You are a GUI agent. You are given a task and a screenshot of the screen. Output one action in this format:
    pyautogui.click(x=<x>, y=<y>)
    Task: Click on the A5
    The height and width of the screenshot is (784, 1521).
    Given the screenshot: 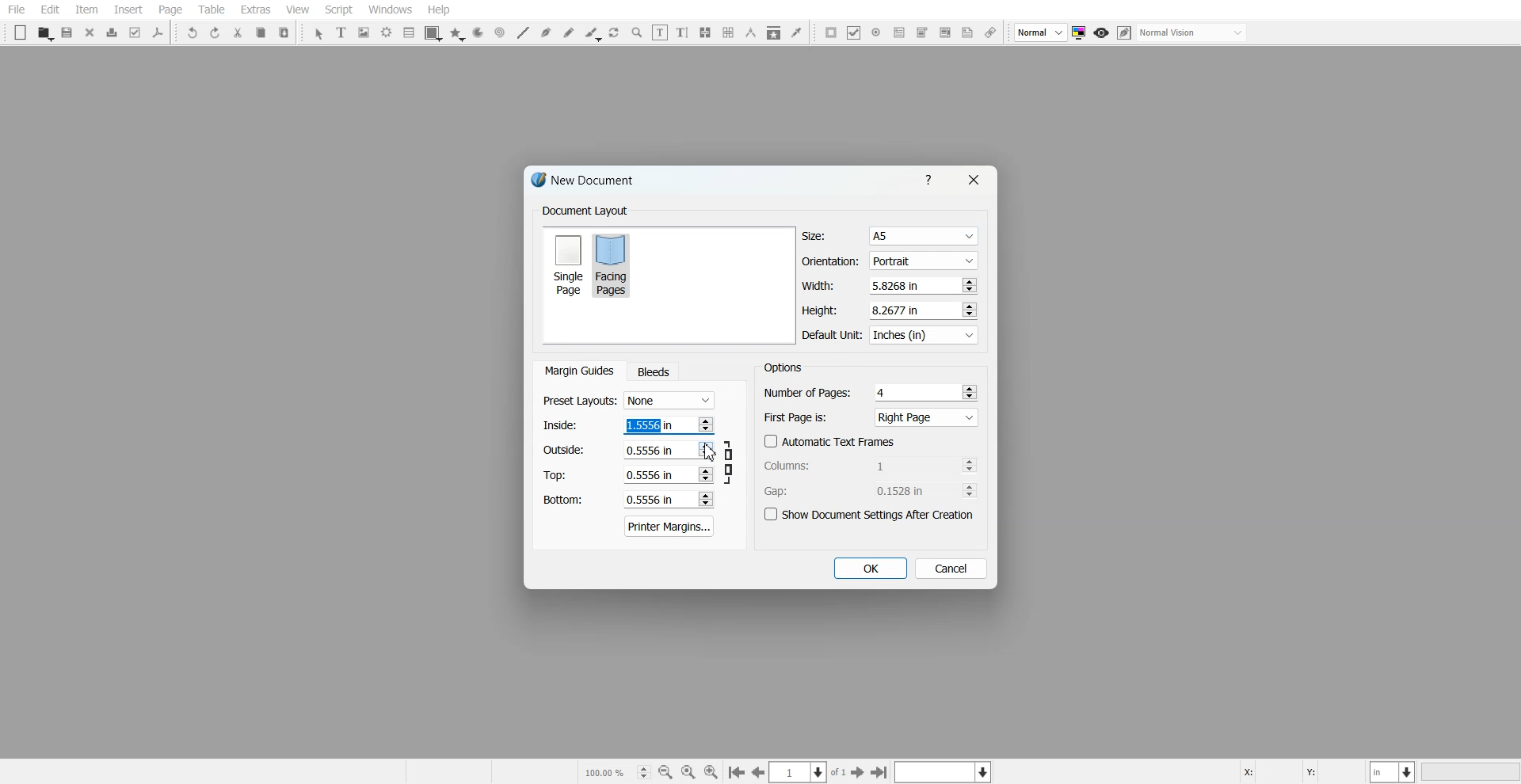 What is the action you would take?
    pyautogui.click(x=922, y=237)
    